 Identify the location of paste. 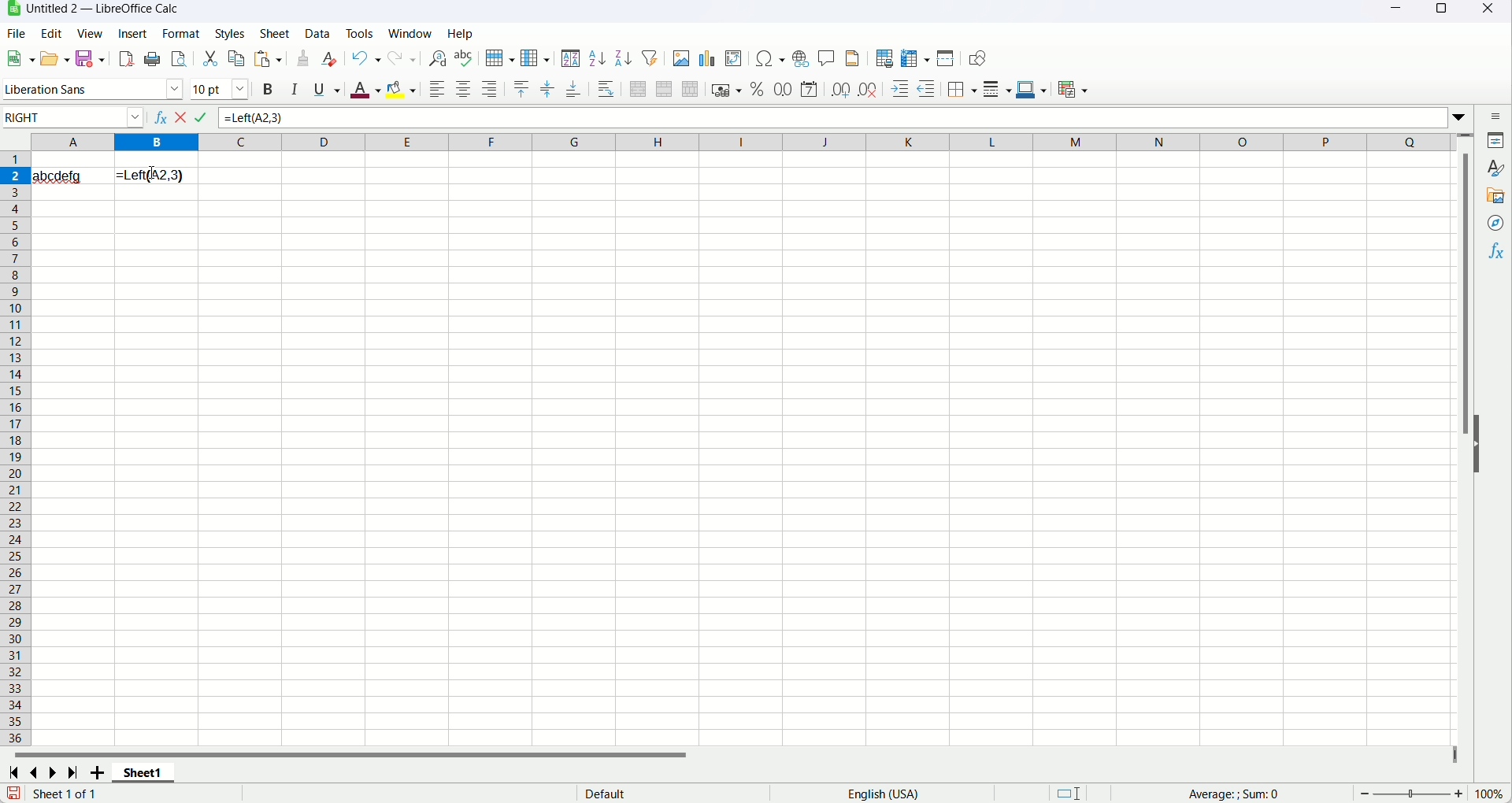
(267, 58).